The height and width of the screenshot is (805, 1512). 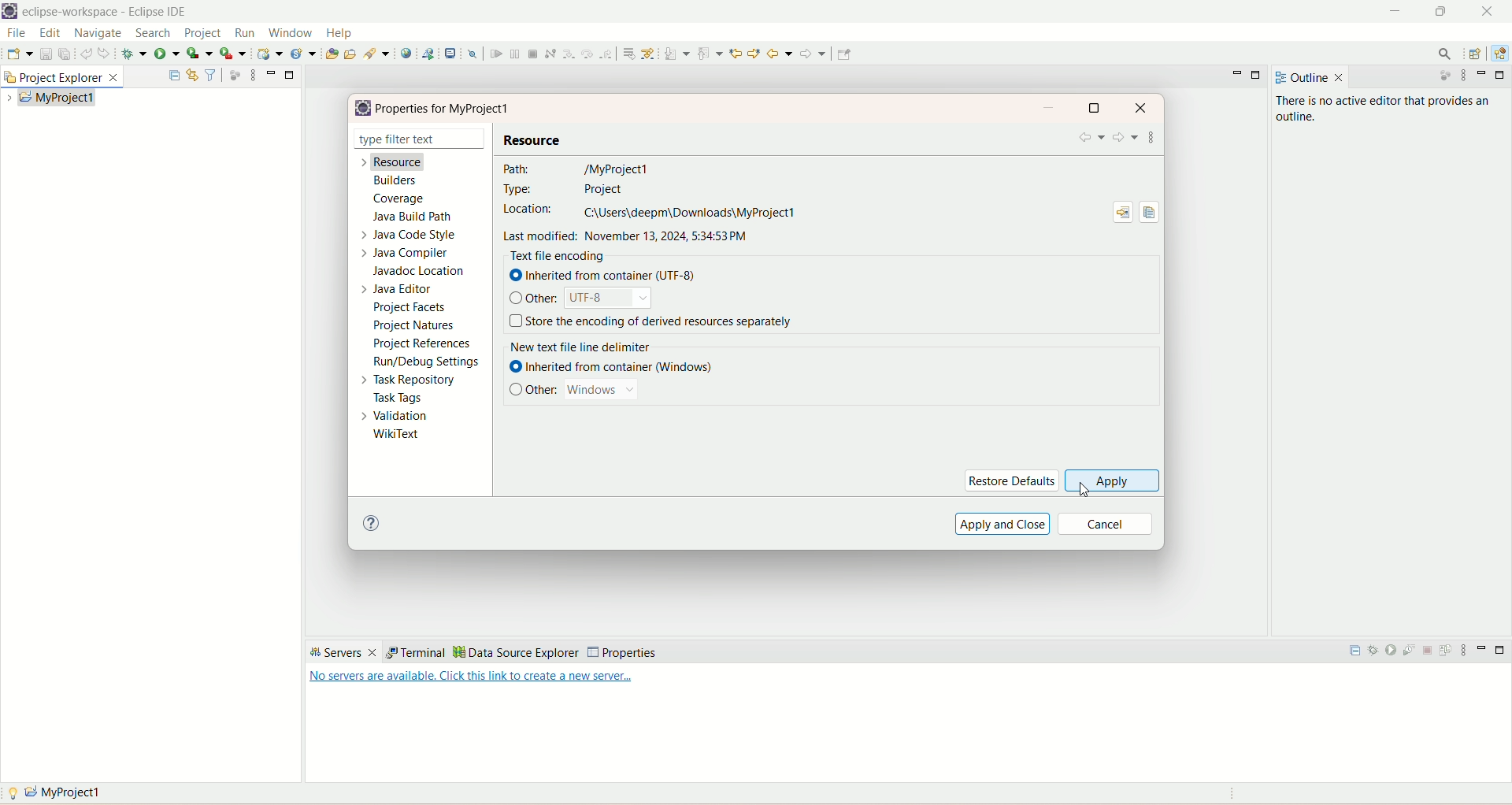 I want to click on focus on active task, so click(x=1443, y=75).